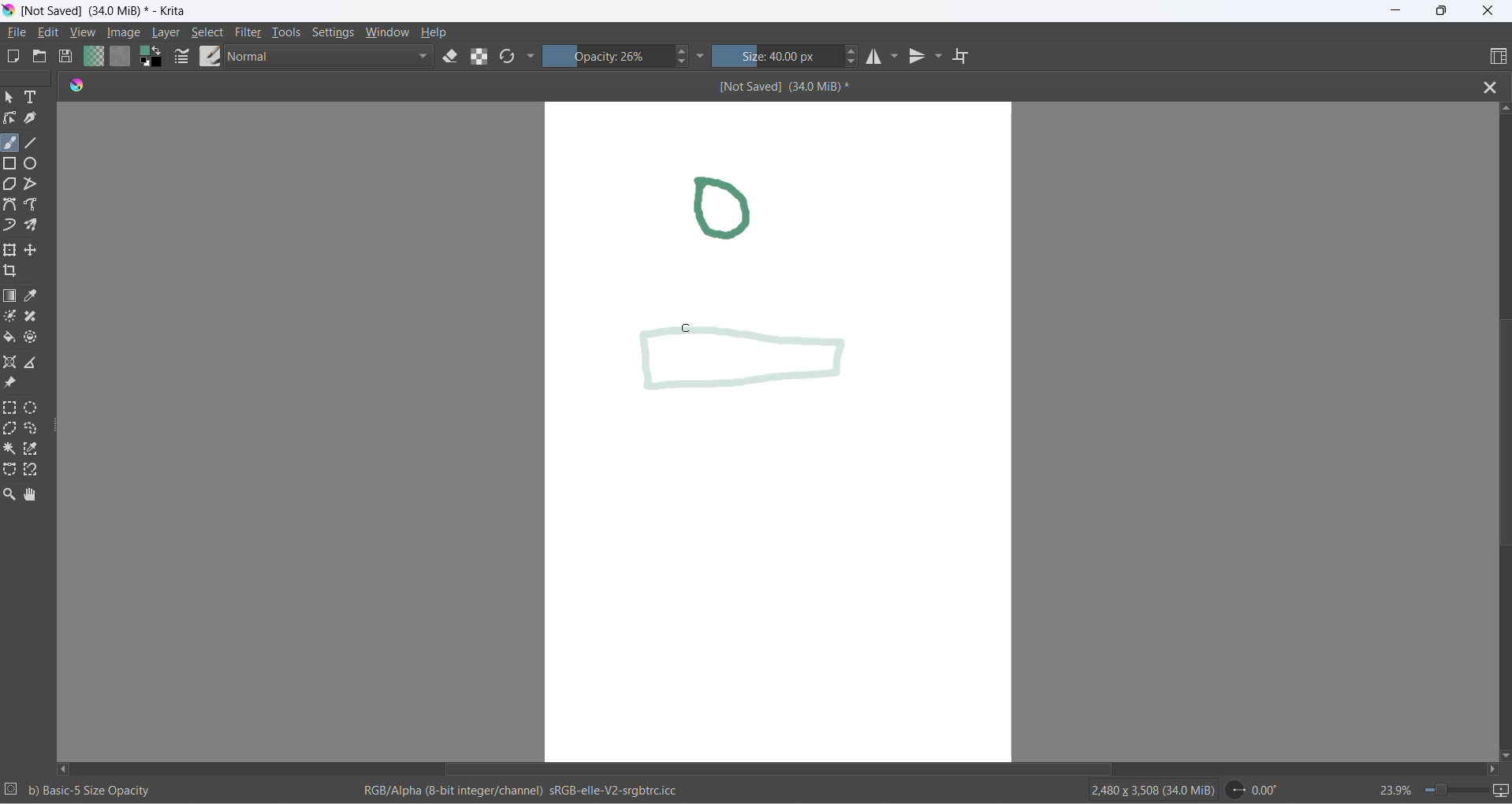  What do you see at coordinates (13, 225) in the screenshot?
I see `dynamic brush tool` at bounding box center [13, 225].